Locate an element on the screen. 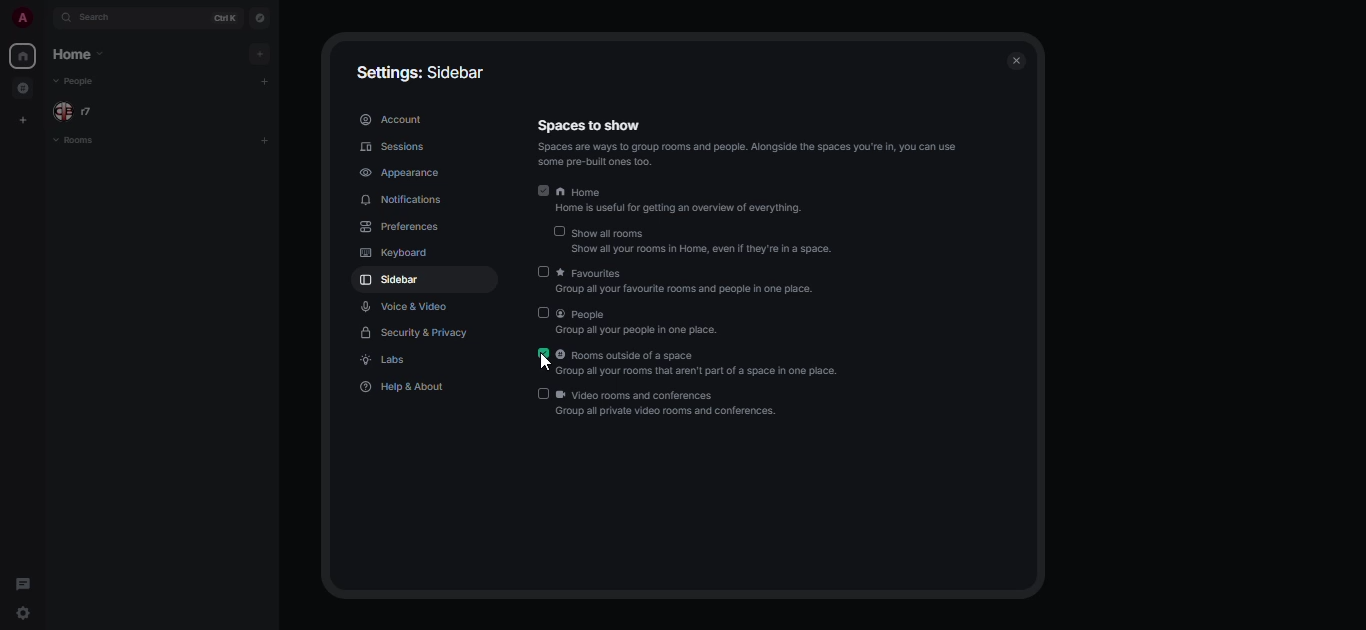 This screenshot has height=630, width=1366. account is located at coordinates (391, 120).